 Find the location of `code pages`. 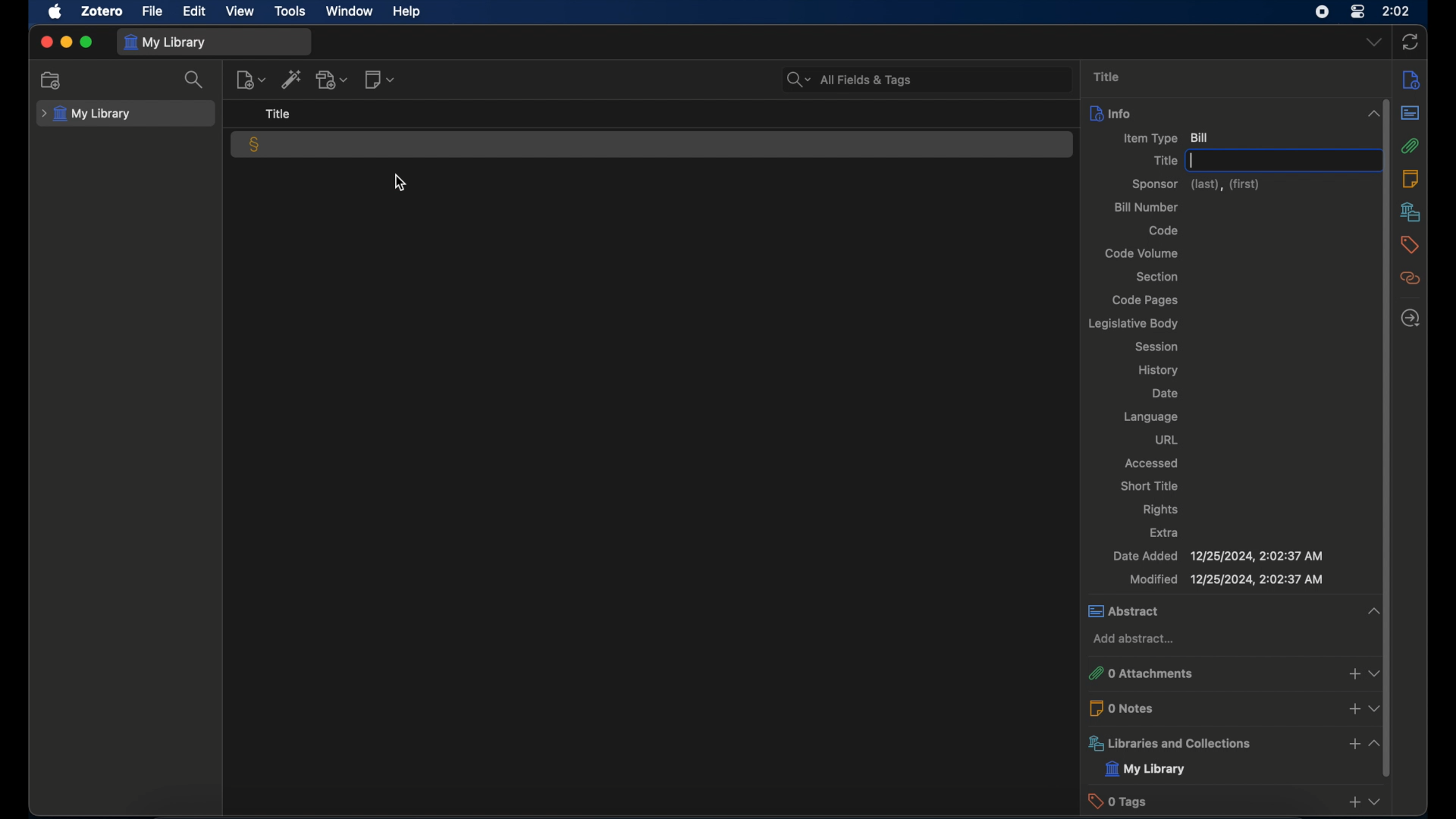

code pages is located at coordinates (1146, 300).